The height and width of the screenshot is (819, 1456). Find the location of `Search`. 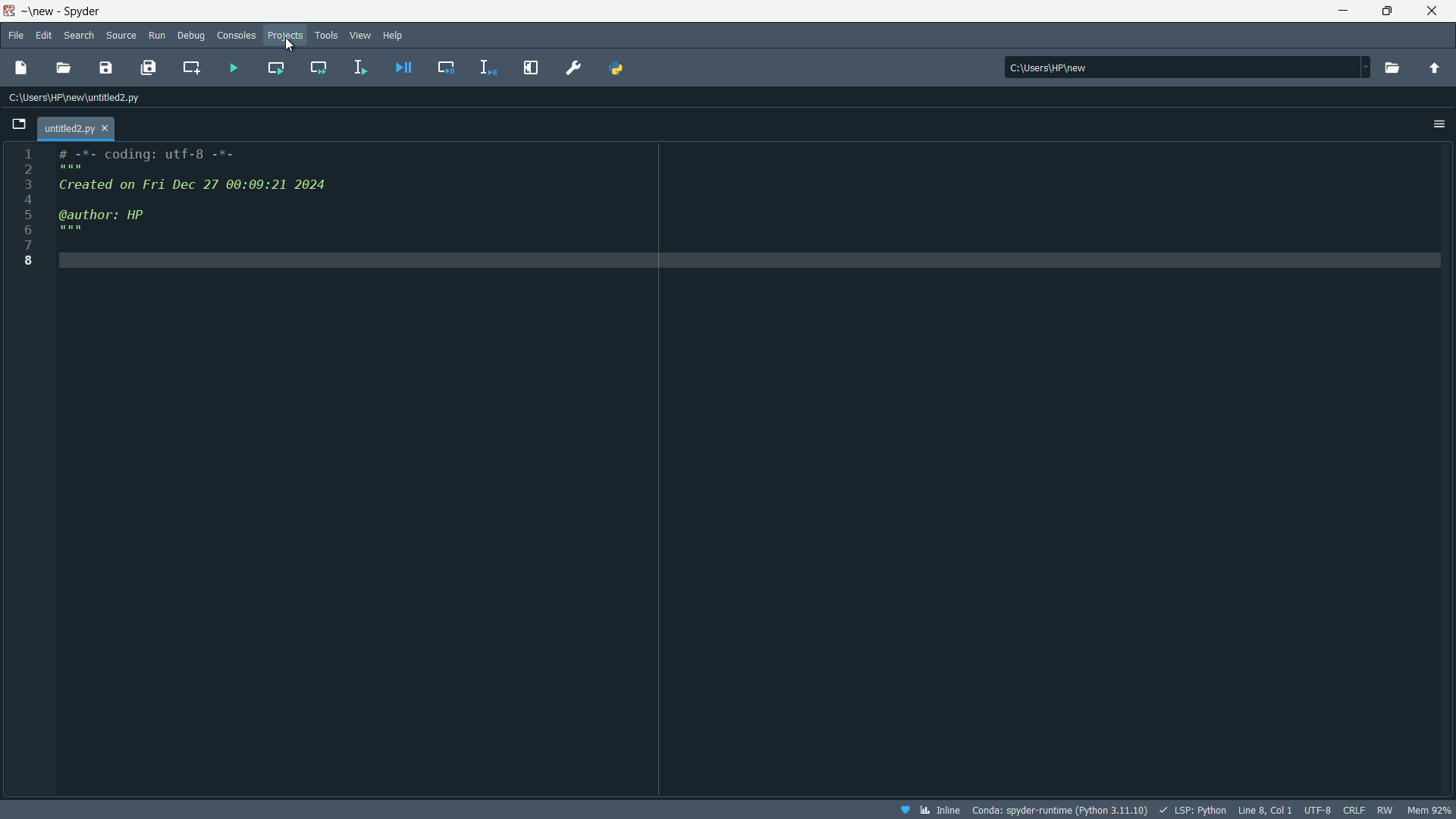

Search is located at coordinates (80, 36).